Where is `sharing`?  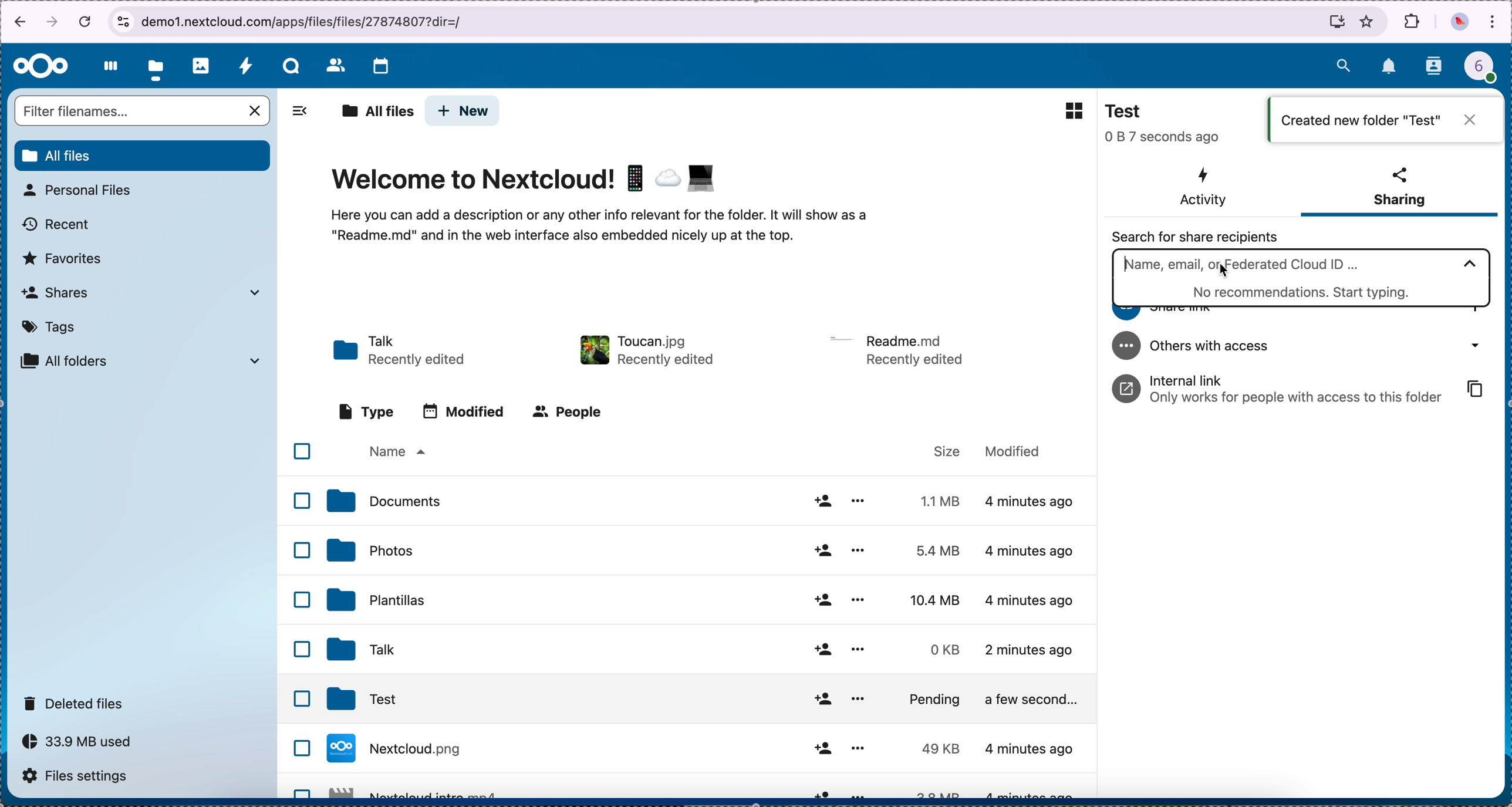
sharing is located at coordinates (1399, 190).